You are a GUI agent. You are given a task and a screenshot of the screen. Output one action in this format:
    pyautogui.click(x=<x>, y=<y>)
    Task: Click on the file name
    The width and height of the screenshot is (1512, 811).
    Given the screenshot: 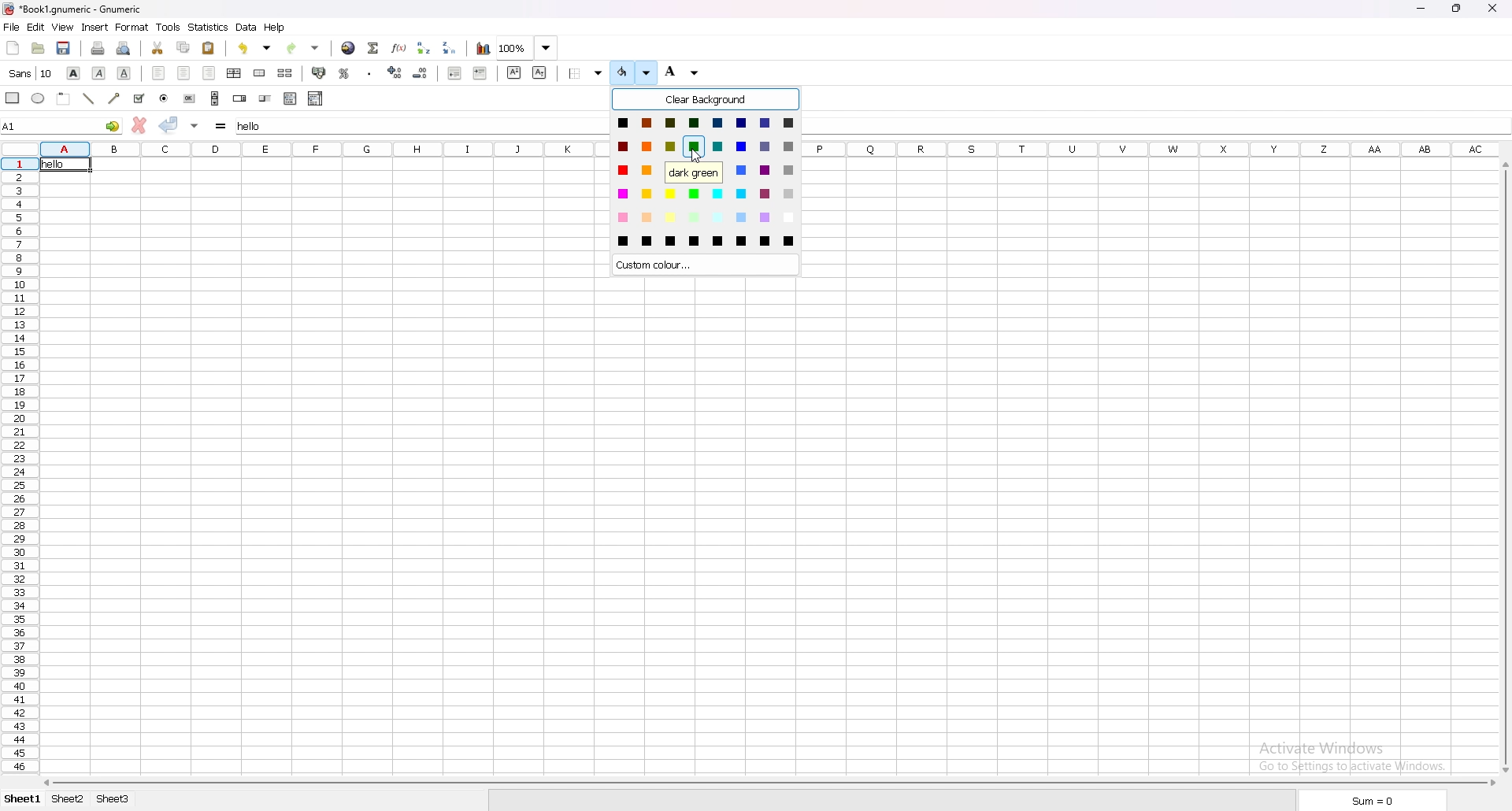 What is the action you would take?
    pyautogui.click(x=76, y=9)
    